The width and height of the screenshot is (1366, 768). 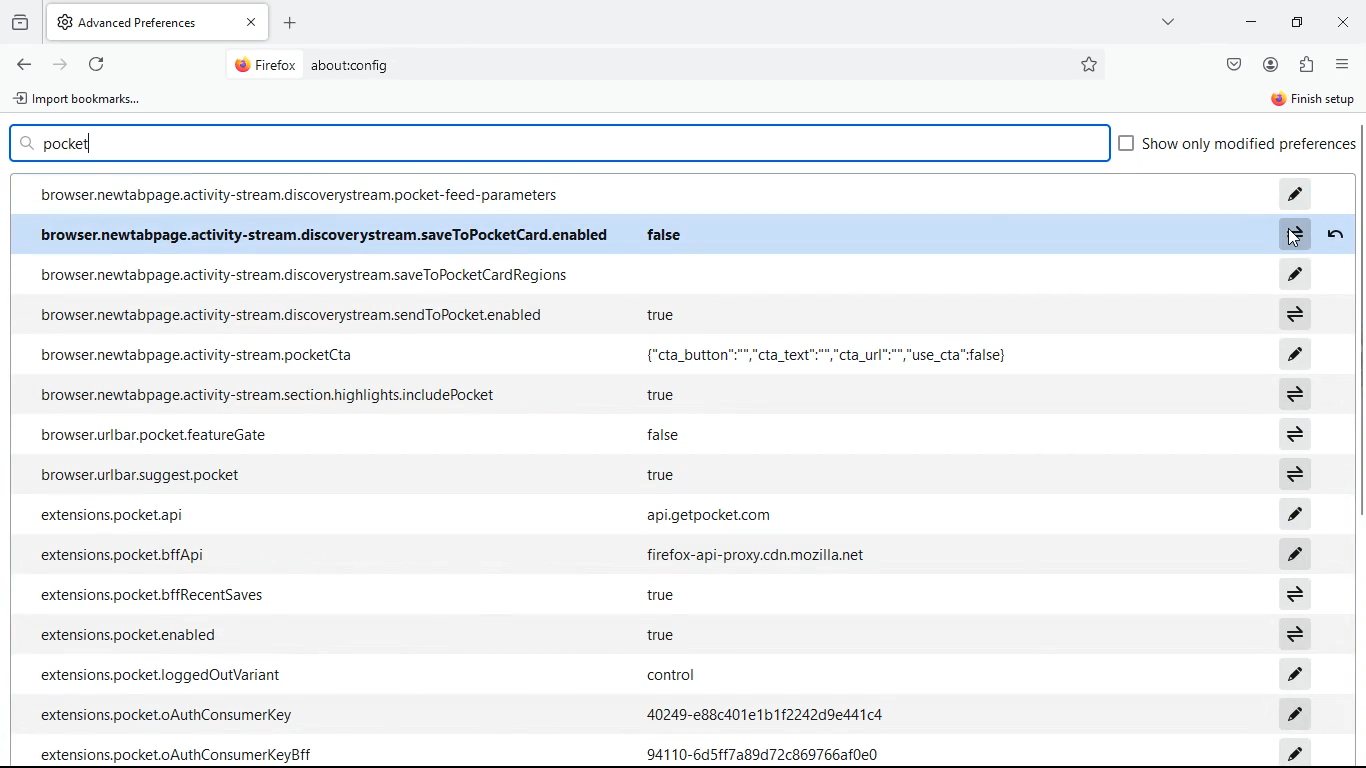 I want to click on 94110-6d5ff7a89d72c869766af0e0, so click(x=765, y=754).